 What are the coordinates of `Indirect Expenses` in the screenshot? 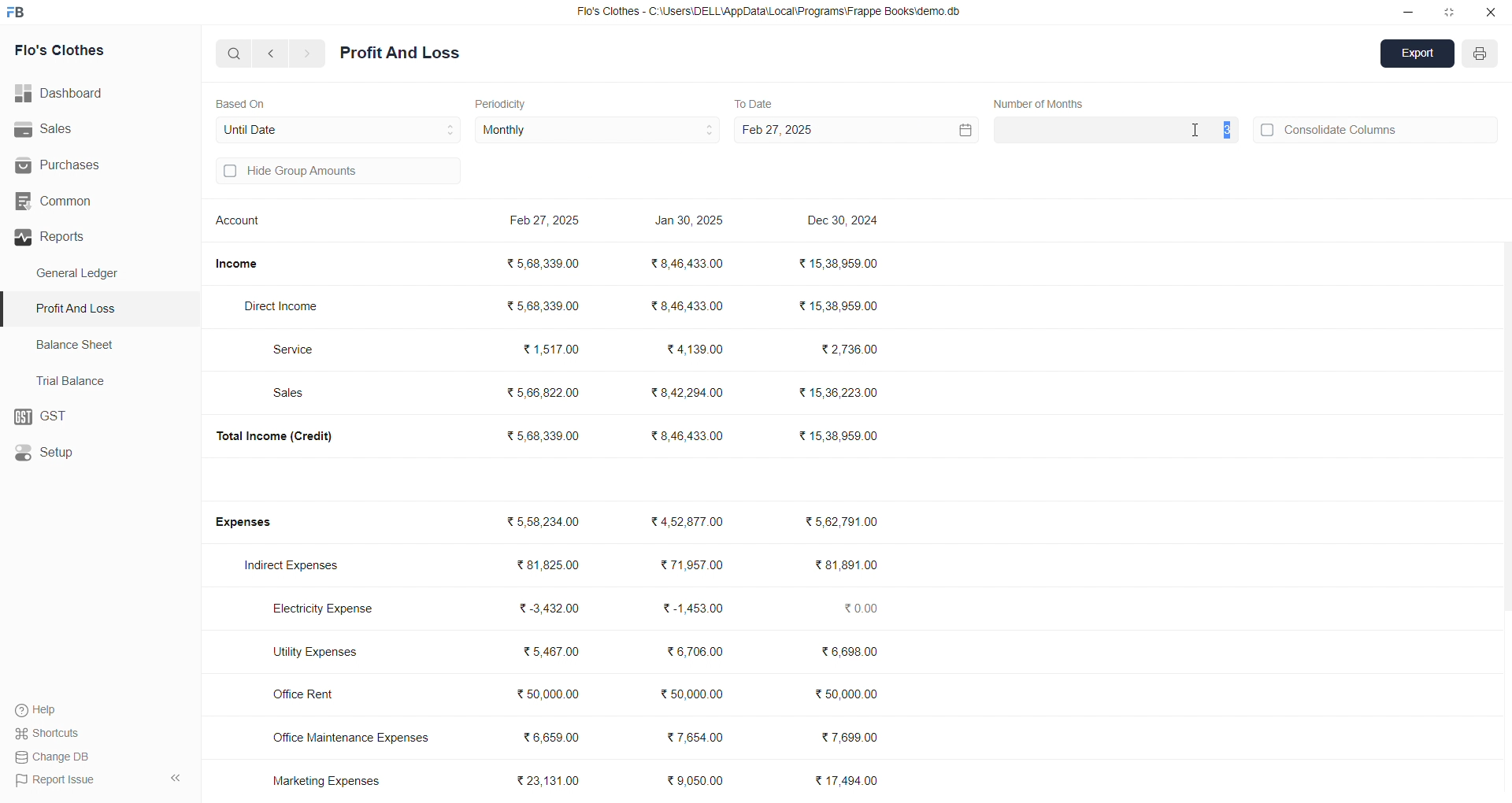 It's located at (297, 567).